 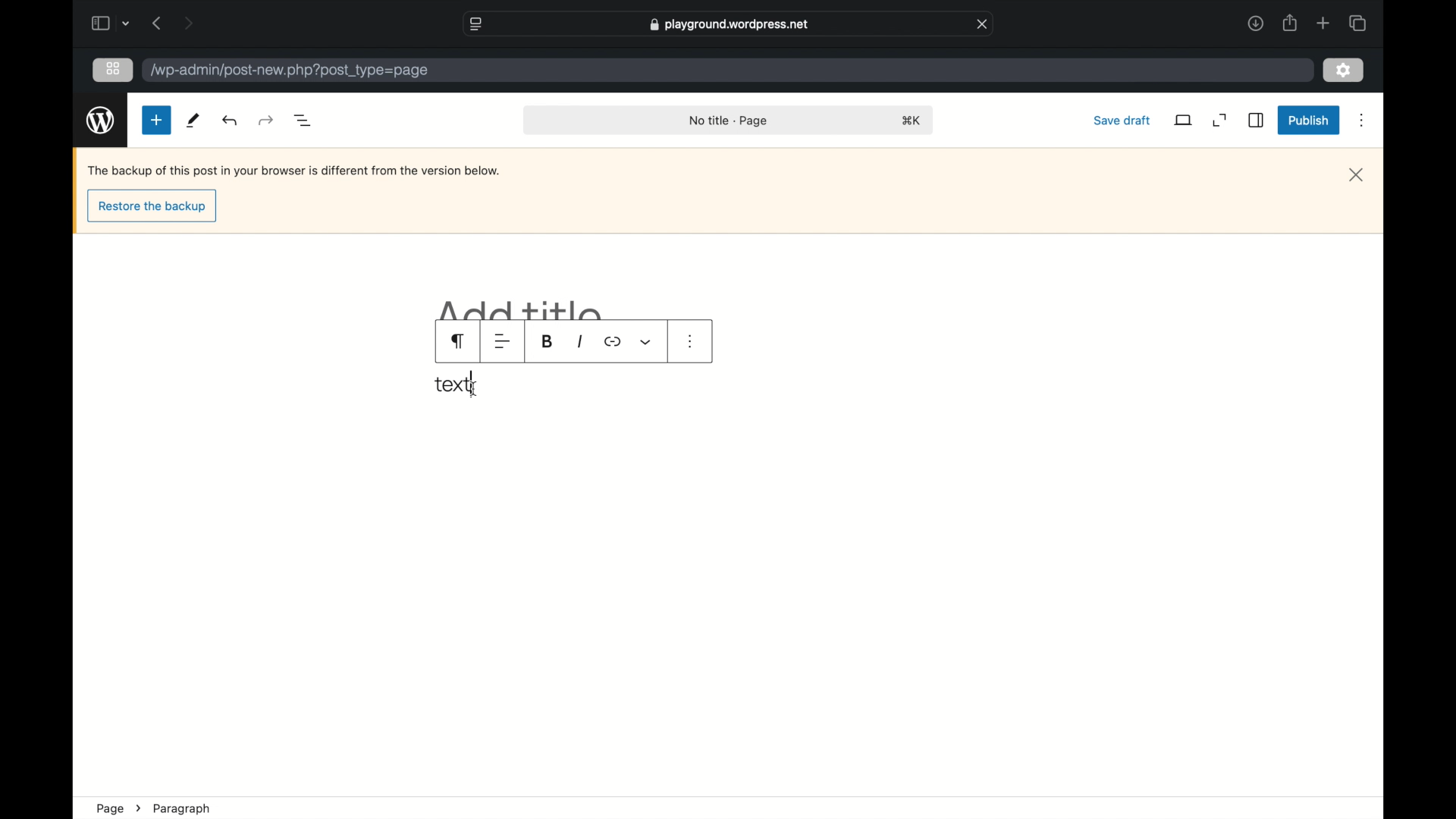 I want to click on wordpress, so click(x=100, y=120).